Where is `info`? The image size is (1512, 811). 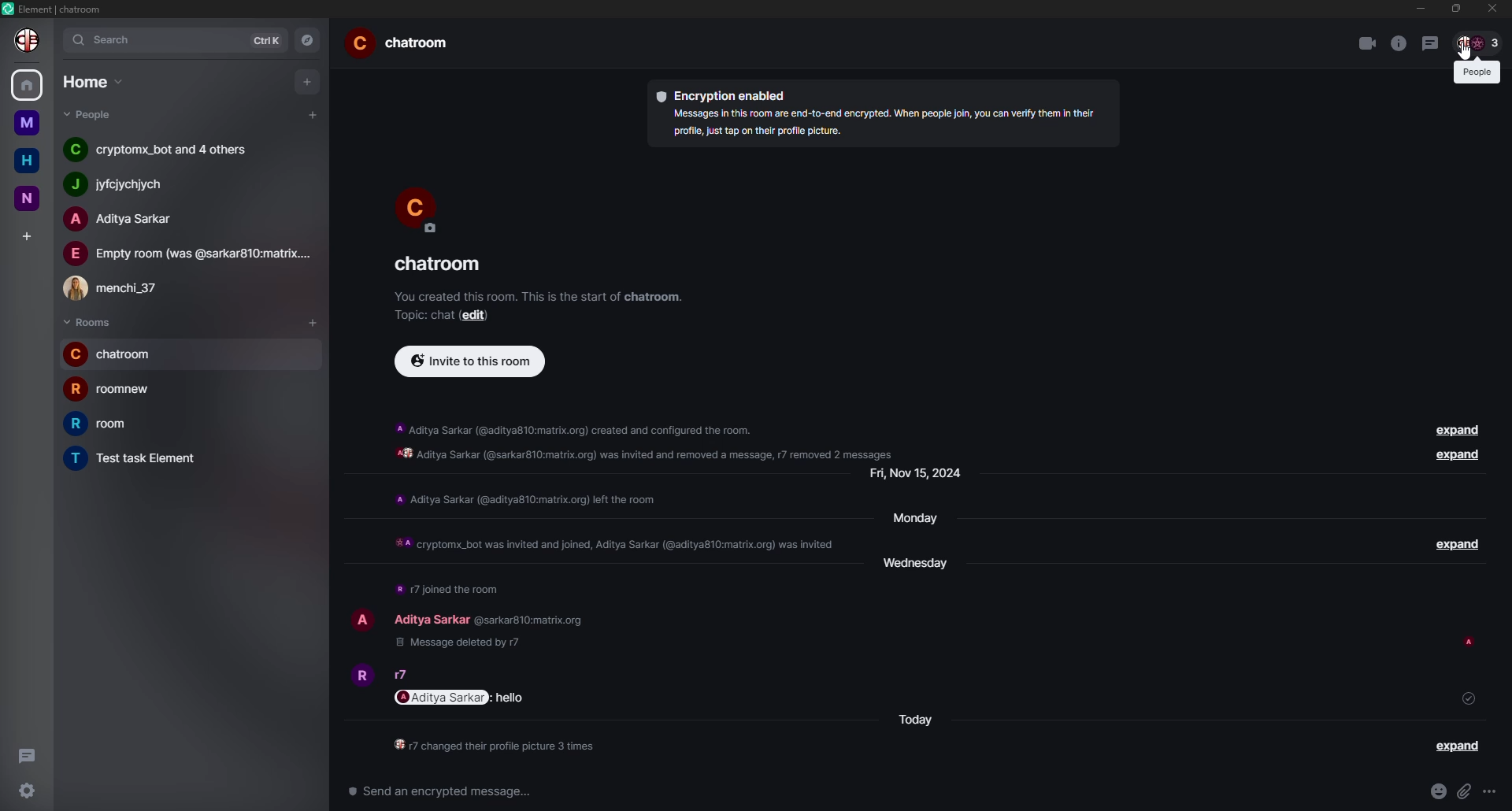 info is located at coordinates (1398, 44).